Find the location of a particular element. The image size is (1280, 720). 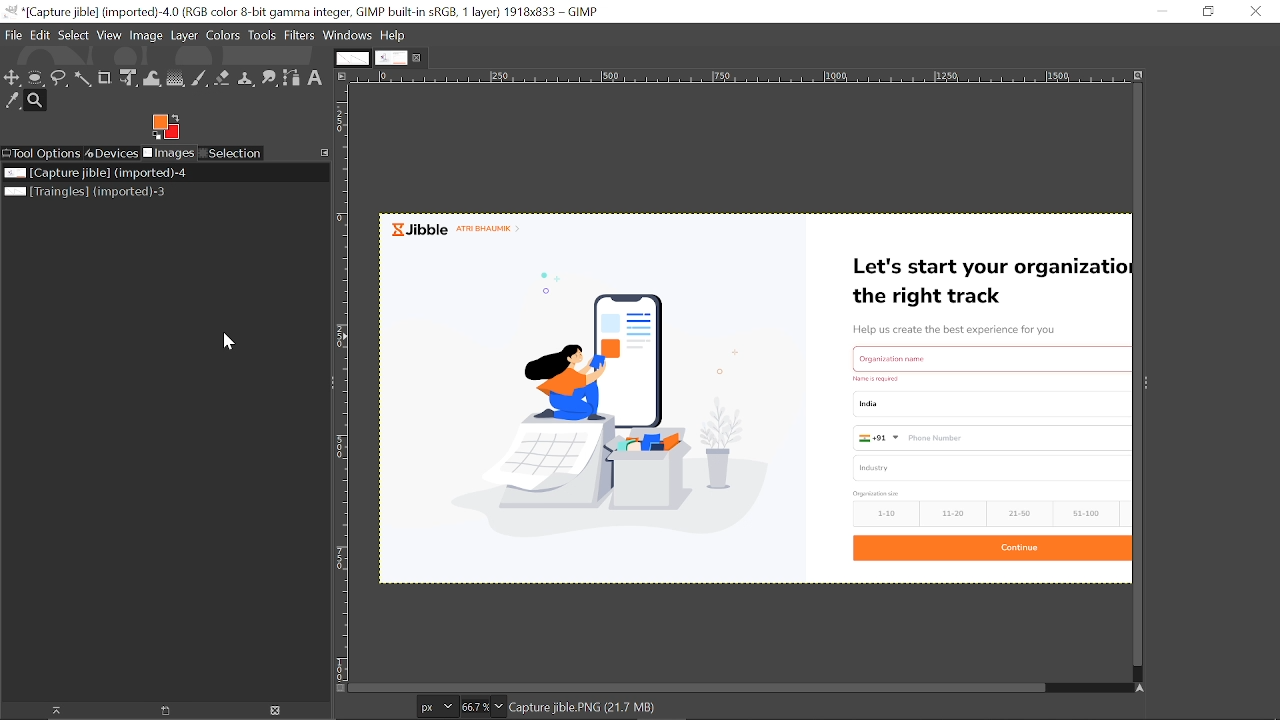

Close is located at coordinates (1255, 13).